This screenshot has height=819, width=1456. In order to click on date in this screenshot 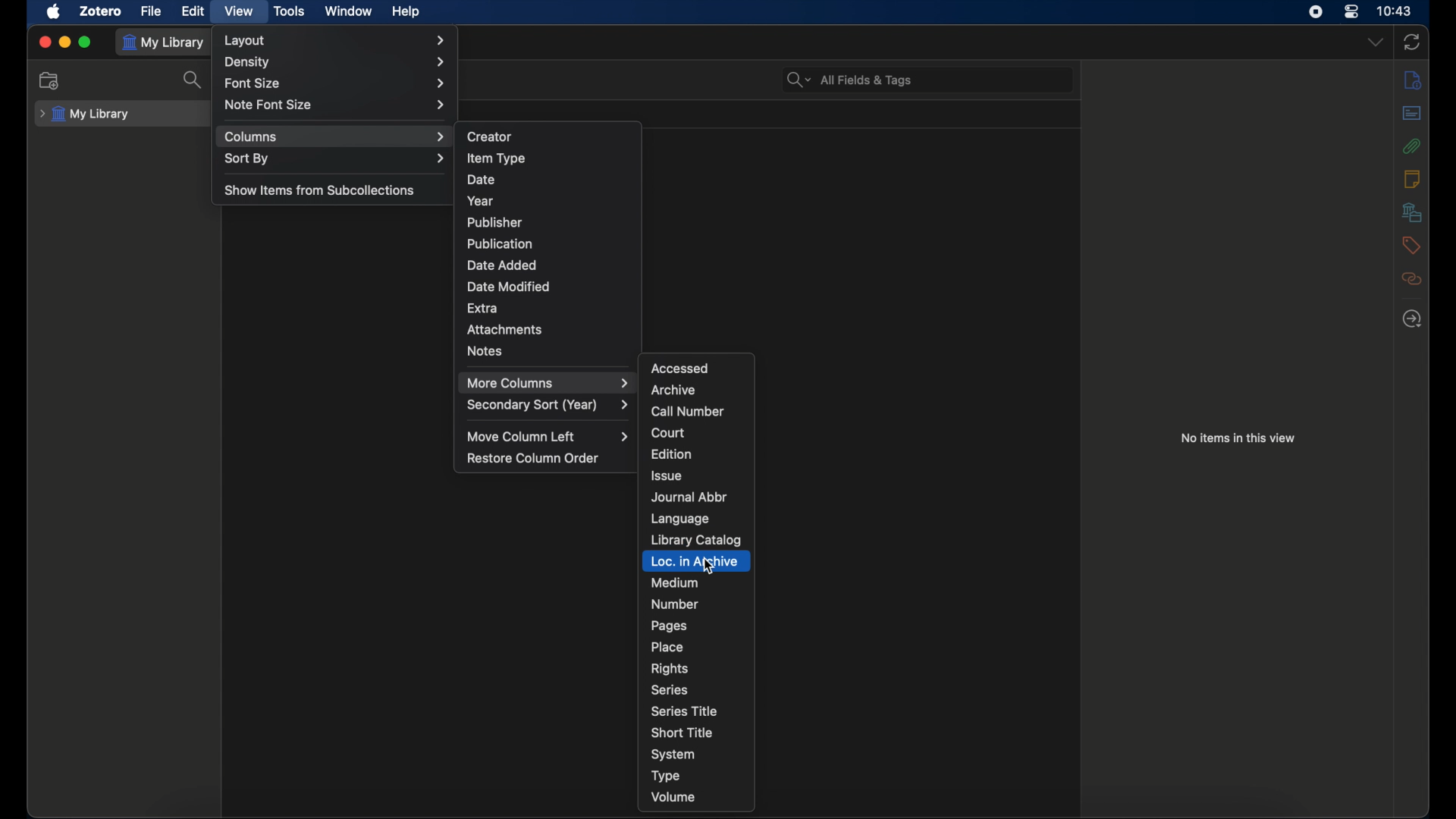, I will do `click(482, 180)`.